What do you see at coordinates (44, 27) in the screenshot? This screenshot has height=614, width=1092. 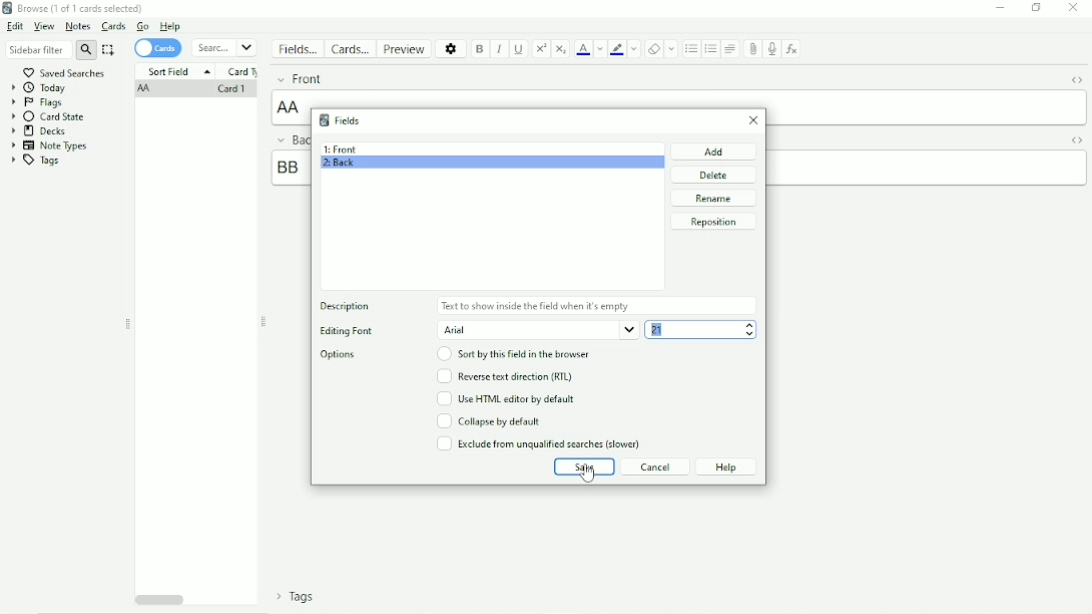 I see `View` at bounding box center [44, 27].